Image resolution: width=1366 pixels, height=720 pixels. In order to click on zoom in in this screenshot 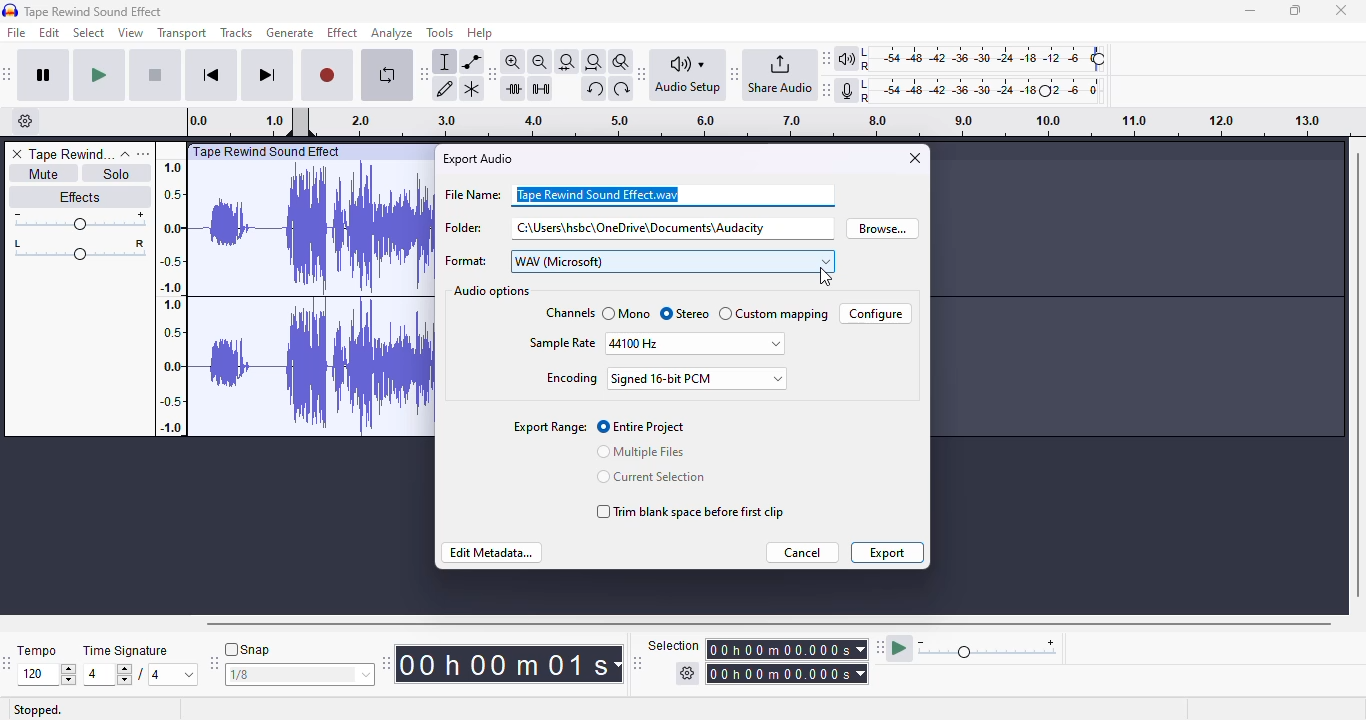, I will do `click(512, 61)`.